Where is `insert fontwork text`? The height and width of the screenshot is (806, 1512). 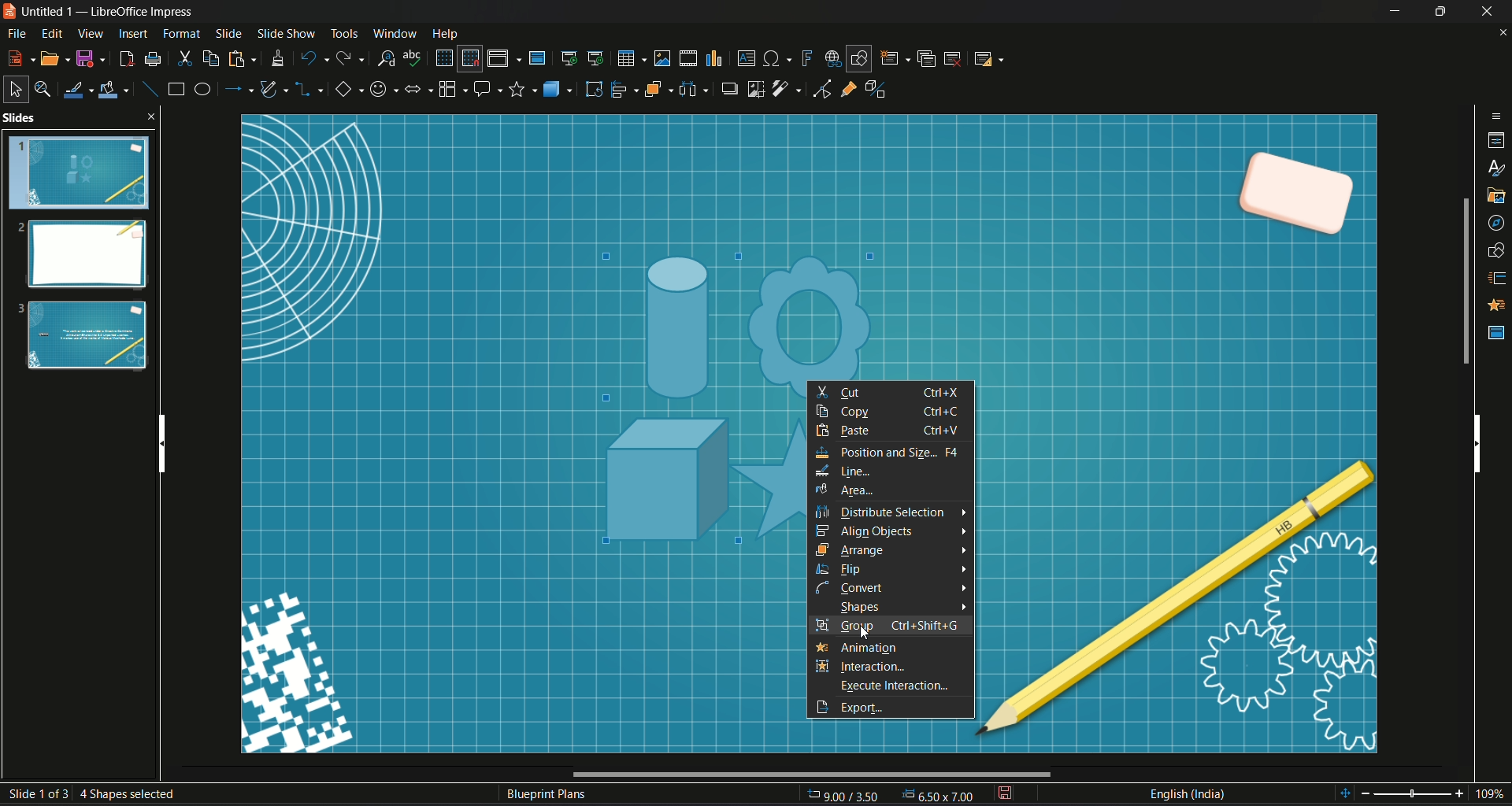
insert fontwork text is located at coordinates (806, 57).